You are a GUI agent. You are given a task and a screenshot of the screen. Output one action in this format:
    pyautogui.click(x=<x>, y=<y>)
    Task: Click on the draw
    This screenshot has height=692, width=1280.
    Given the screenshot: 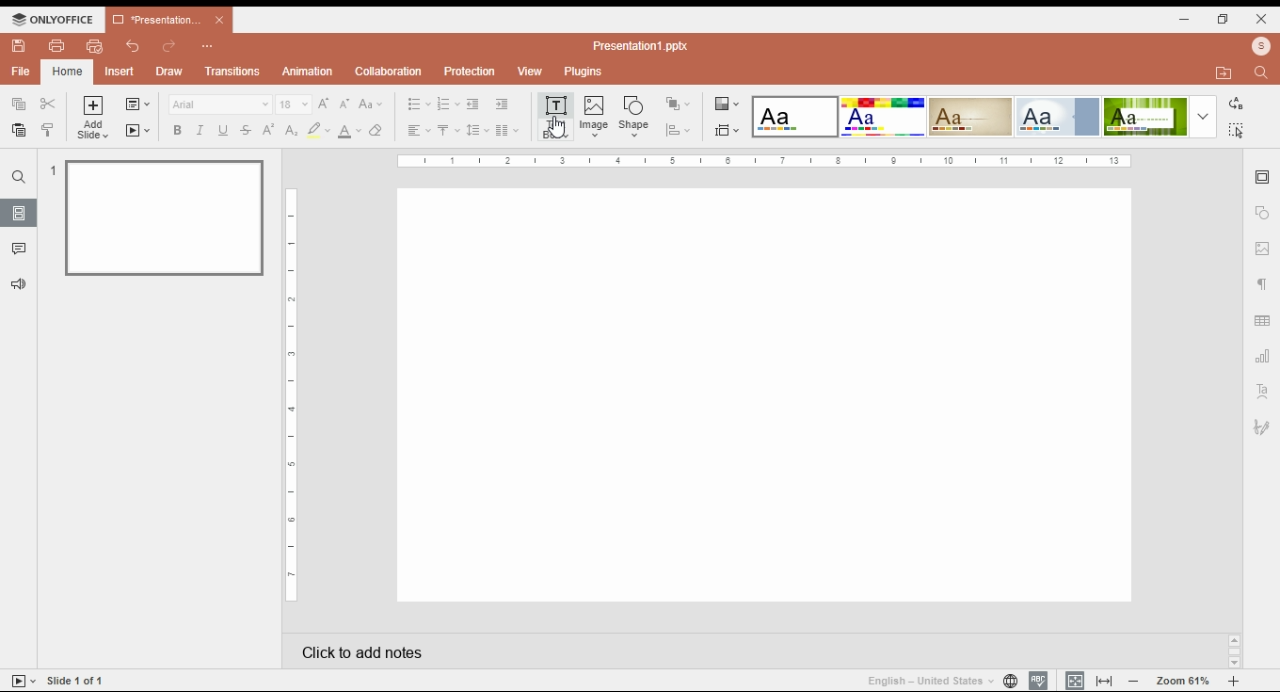 What is the action you would take?
    pyautogui.click(x=169, y=72)
    